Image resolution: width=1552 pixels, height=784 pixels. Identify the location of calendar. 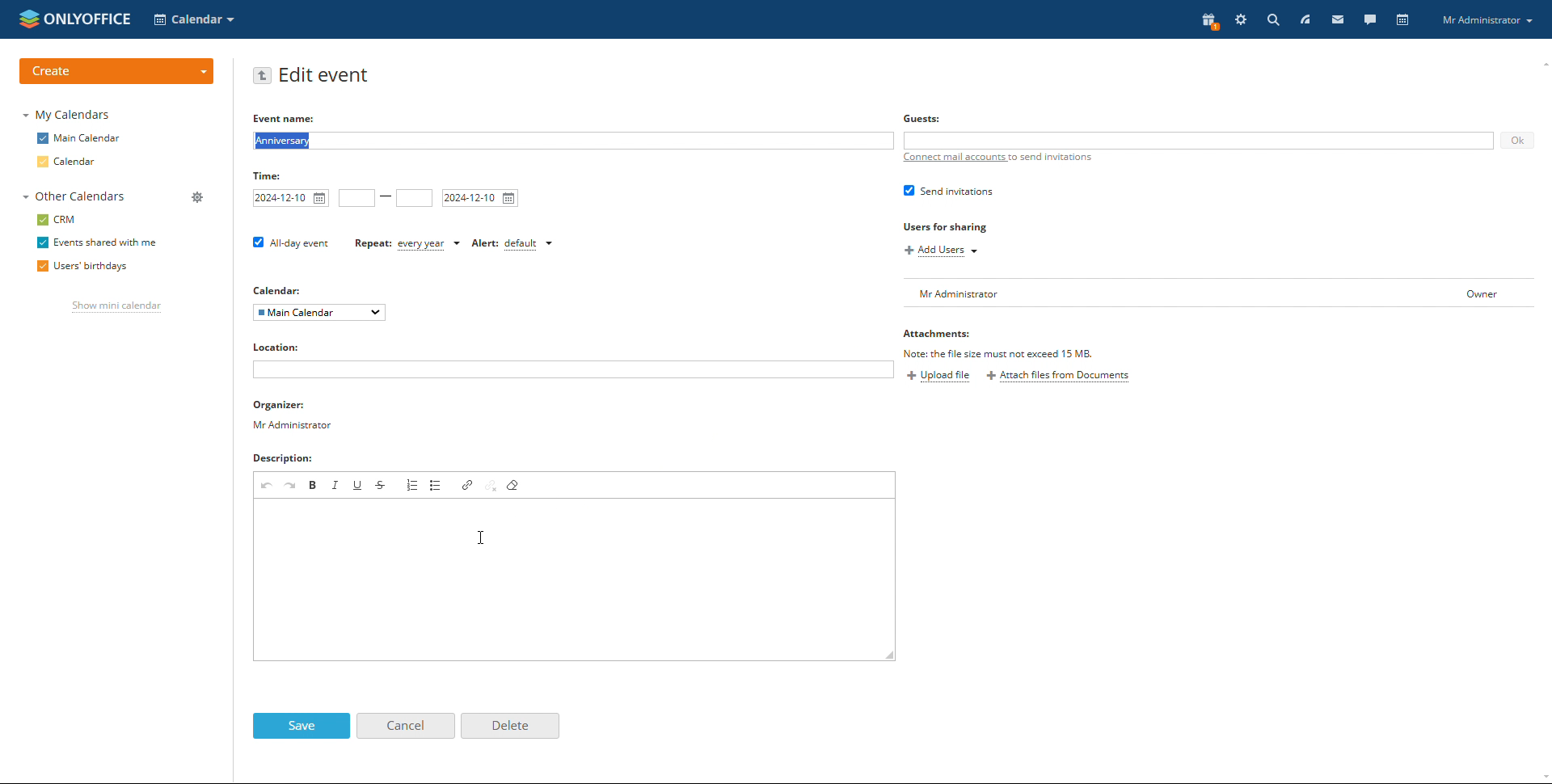
(1403, 20).